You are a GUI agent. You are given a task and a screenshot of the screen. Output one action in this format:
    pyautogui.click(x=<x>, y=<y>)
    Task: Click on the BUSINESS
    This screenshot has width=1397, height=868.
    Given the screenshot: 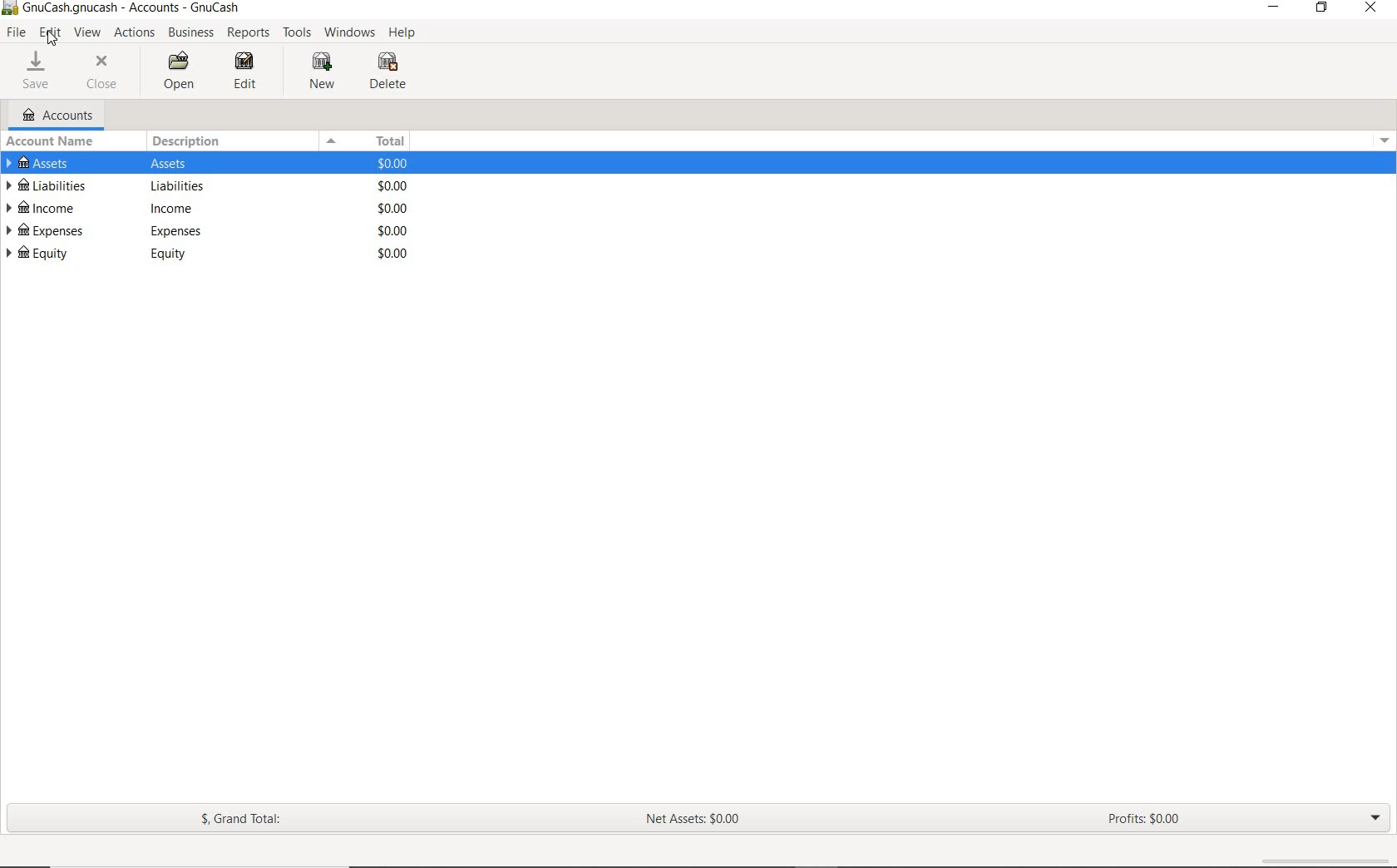 What is the action you would take?
    pyautogui.click(x=192, y=33)
    